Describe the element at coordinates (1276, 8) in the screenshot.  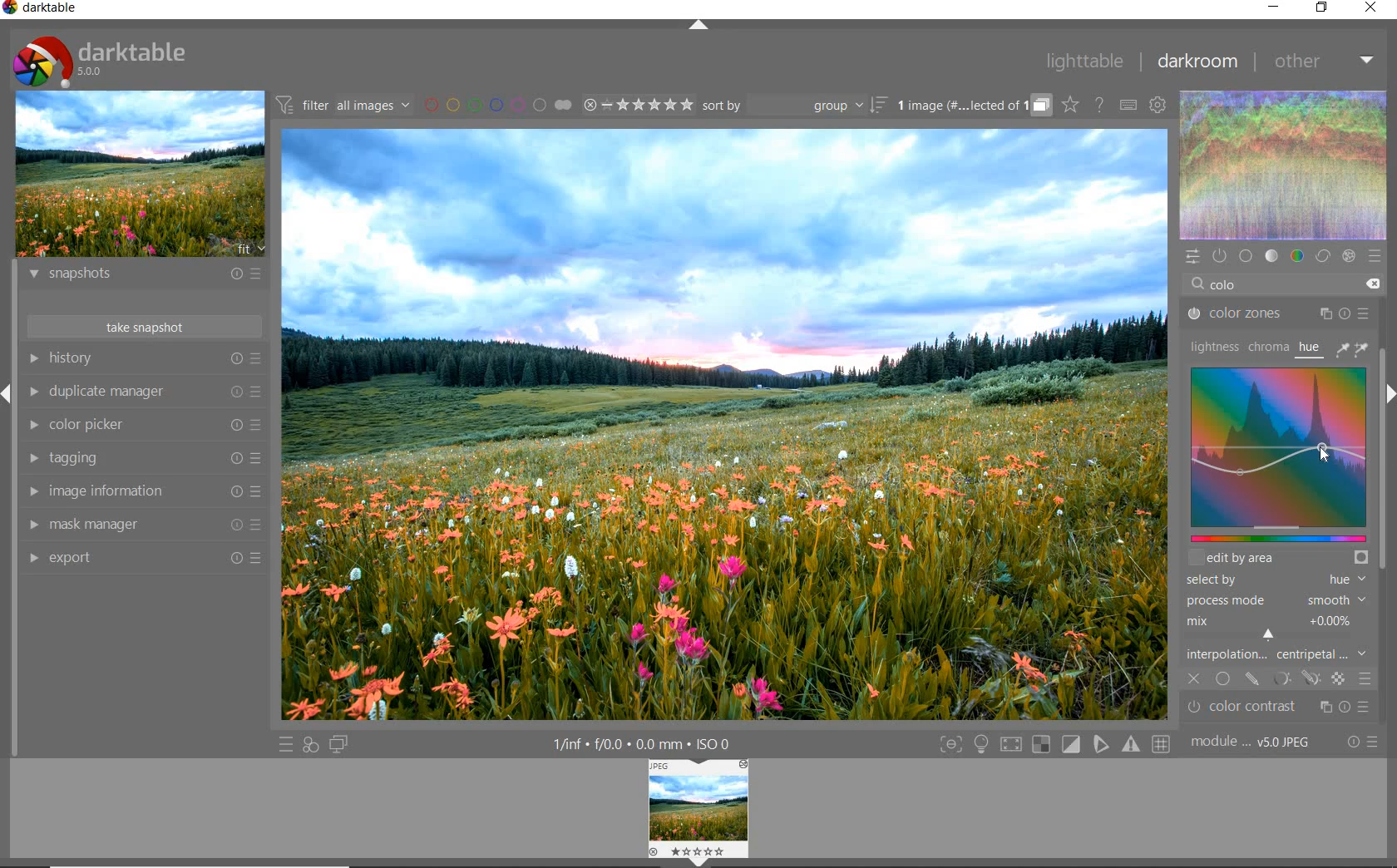
I see `minimize` at that location.